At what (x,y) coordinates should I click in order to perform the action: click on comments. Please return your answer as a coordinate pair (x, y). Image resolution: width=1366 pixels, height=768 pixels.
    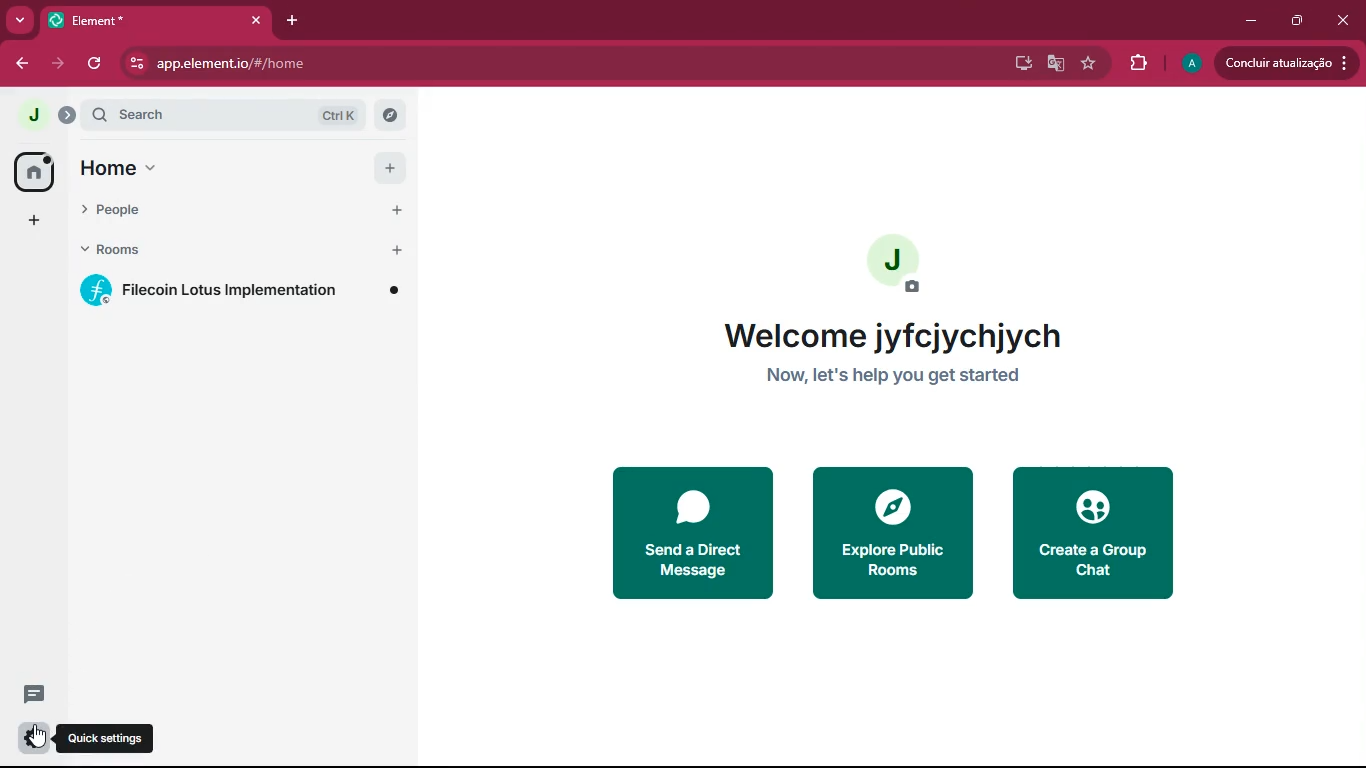
    Looking at the image, I should click on (31, 693).